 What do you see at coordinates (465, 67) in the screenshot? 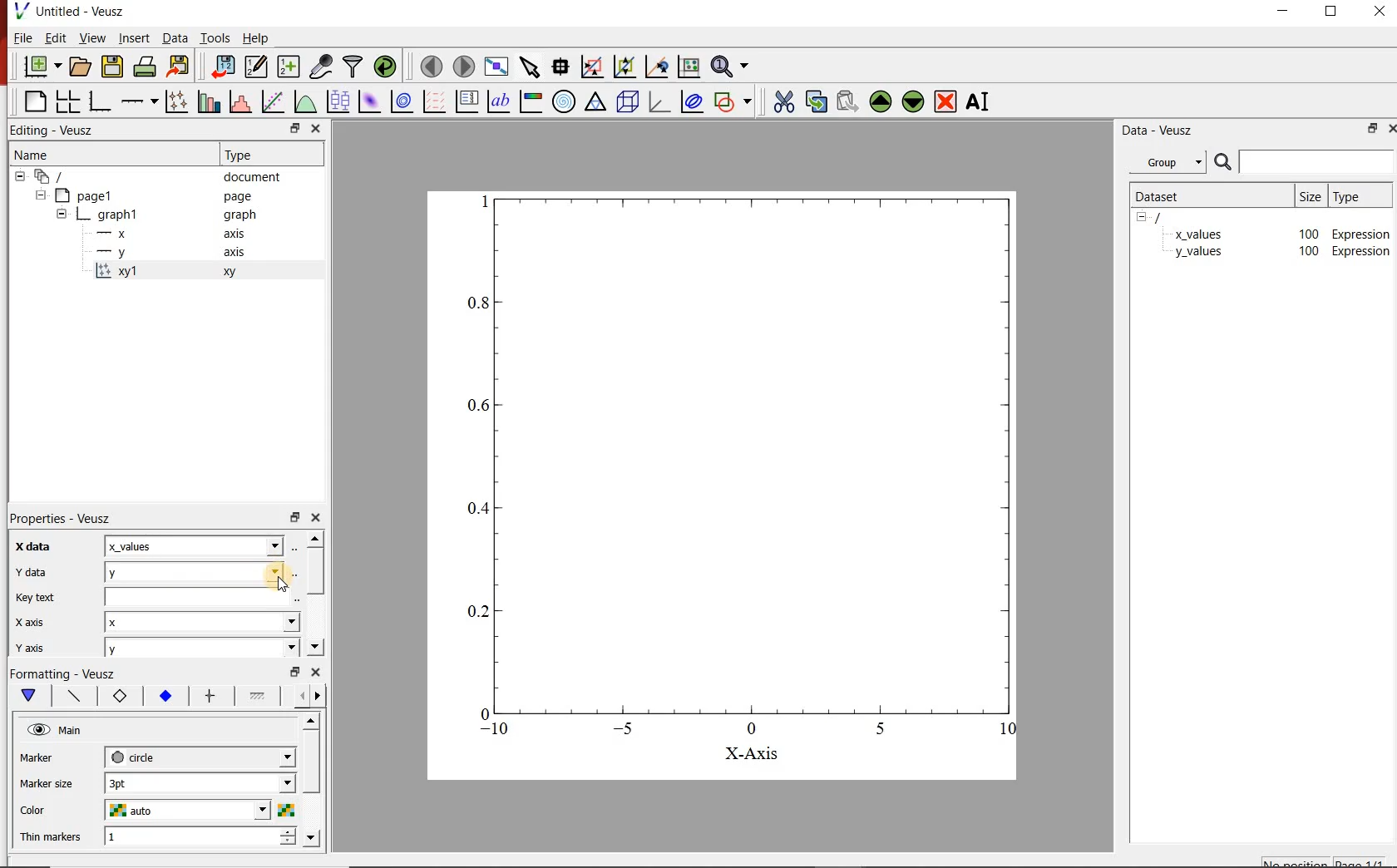
I see `move to next page` at bounding box center [465, 67].